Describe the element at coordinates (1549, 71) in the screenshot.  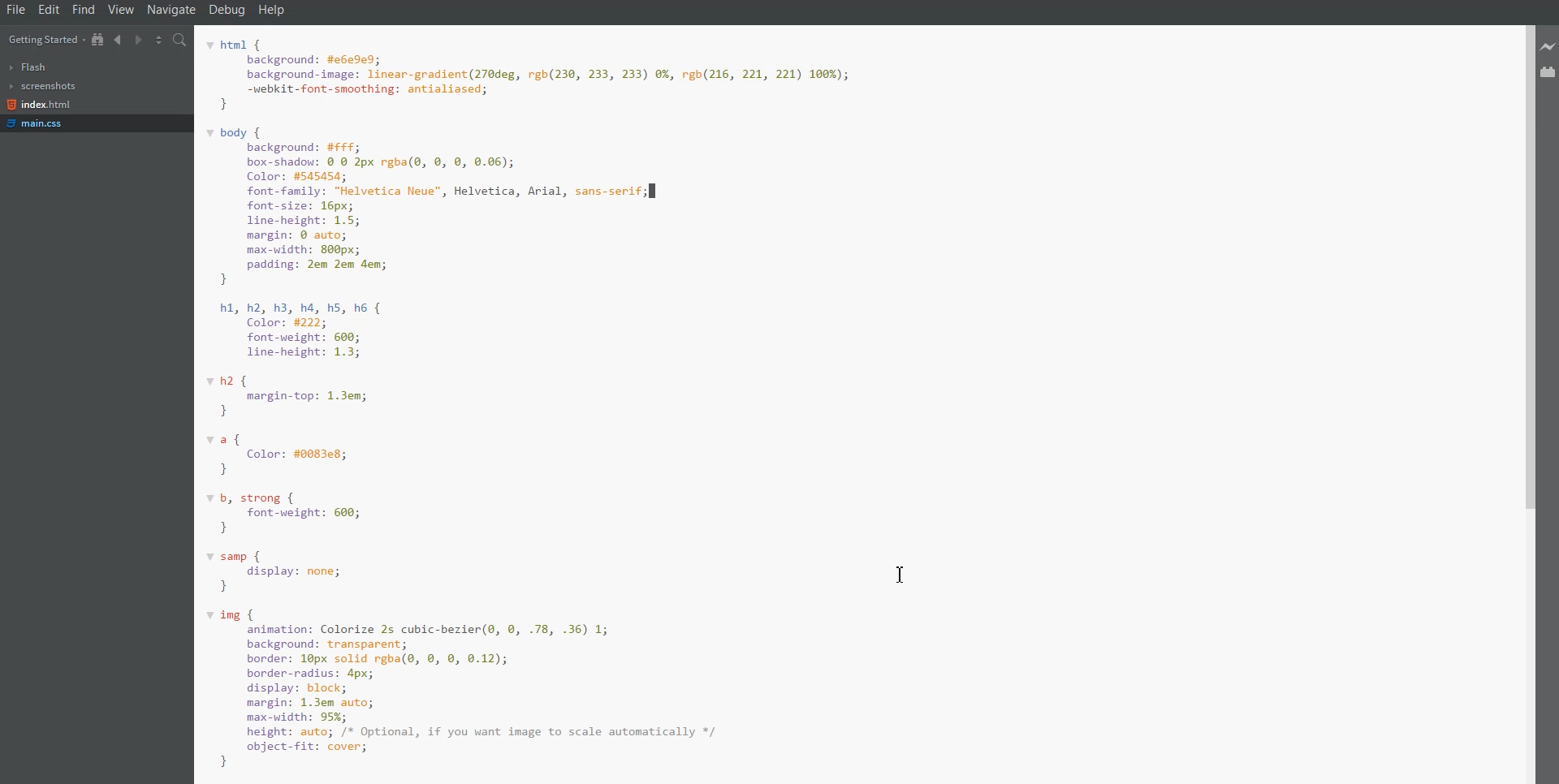
I see `Extension Manager` at that location.